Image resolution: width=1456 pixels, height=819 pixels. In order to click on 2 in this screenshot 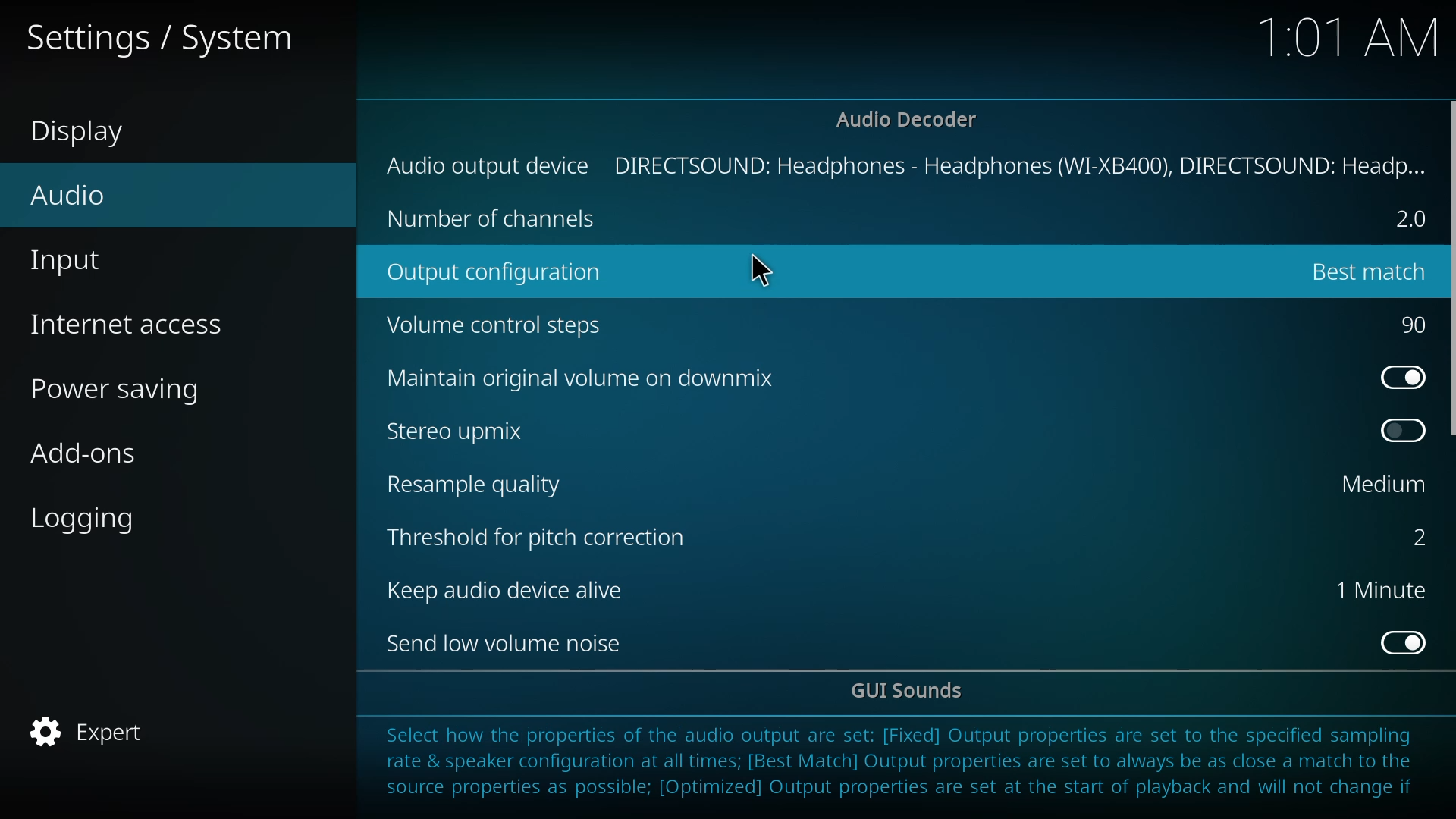, I will do `click(1409, 219)`.